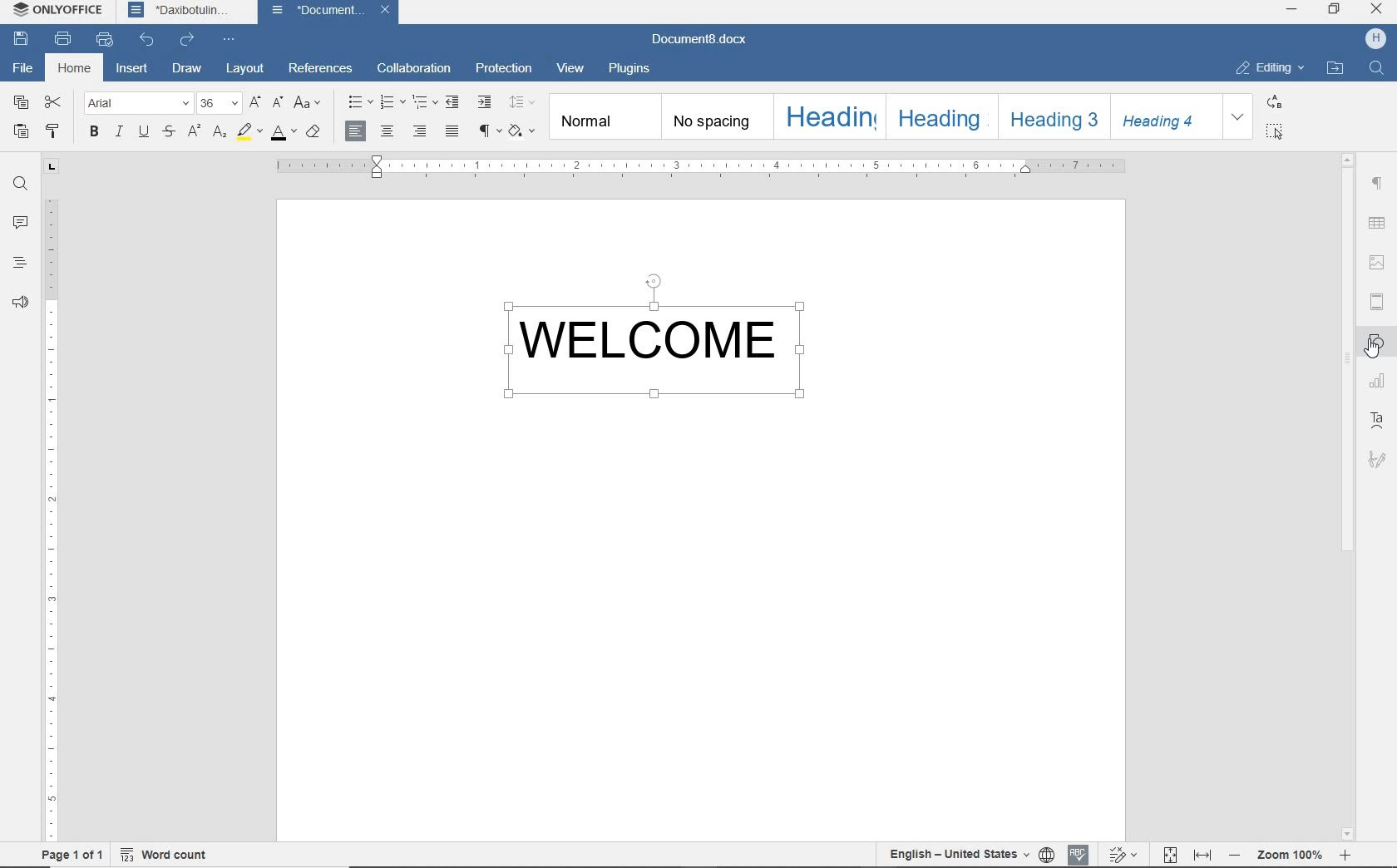 The width and height of the screenshot is (1397, 868). What do you see at coordinates (1266, 68) in the screenshot?
I see `EDITING` at bounding box center [1266, 68].